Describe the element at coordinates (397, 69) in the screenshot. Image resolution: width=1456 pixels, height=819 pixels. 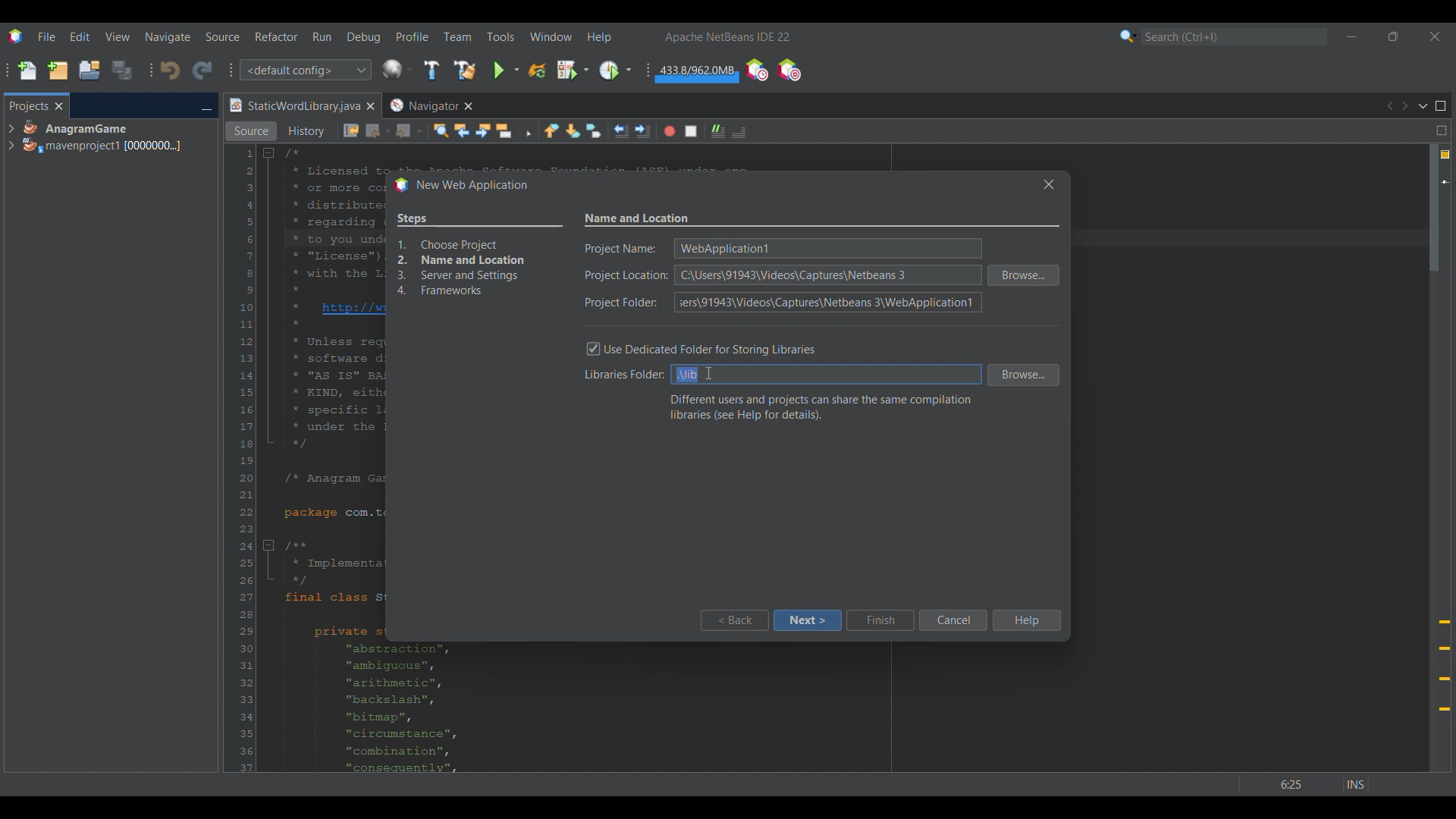
I see `Configure window` at that location.